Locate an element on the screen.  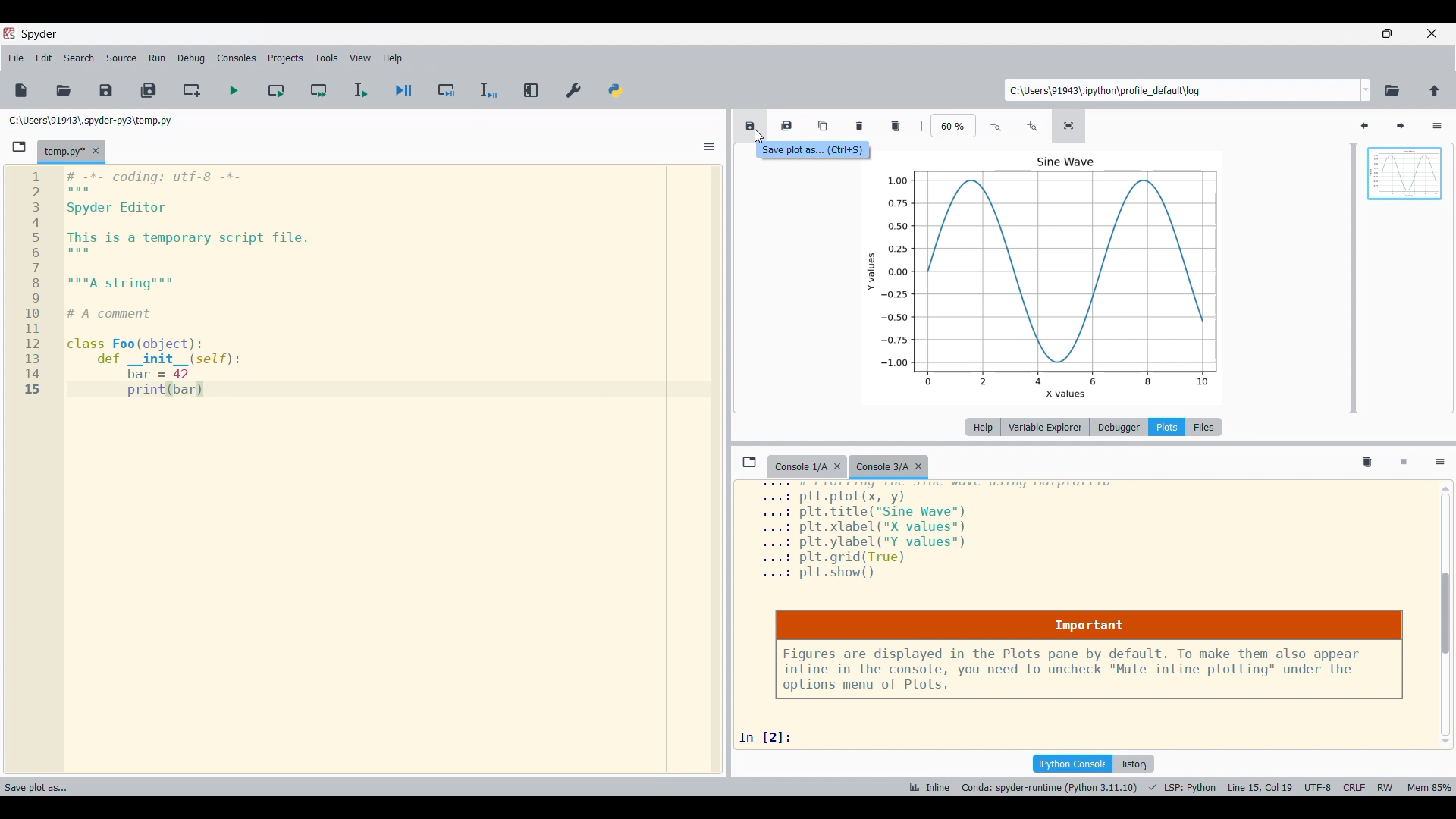
Search menu is located at coordinates (80, 58).